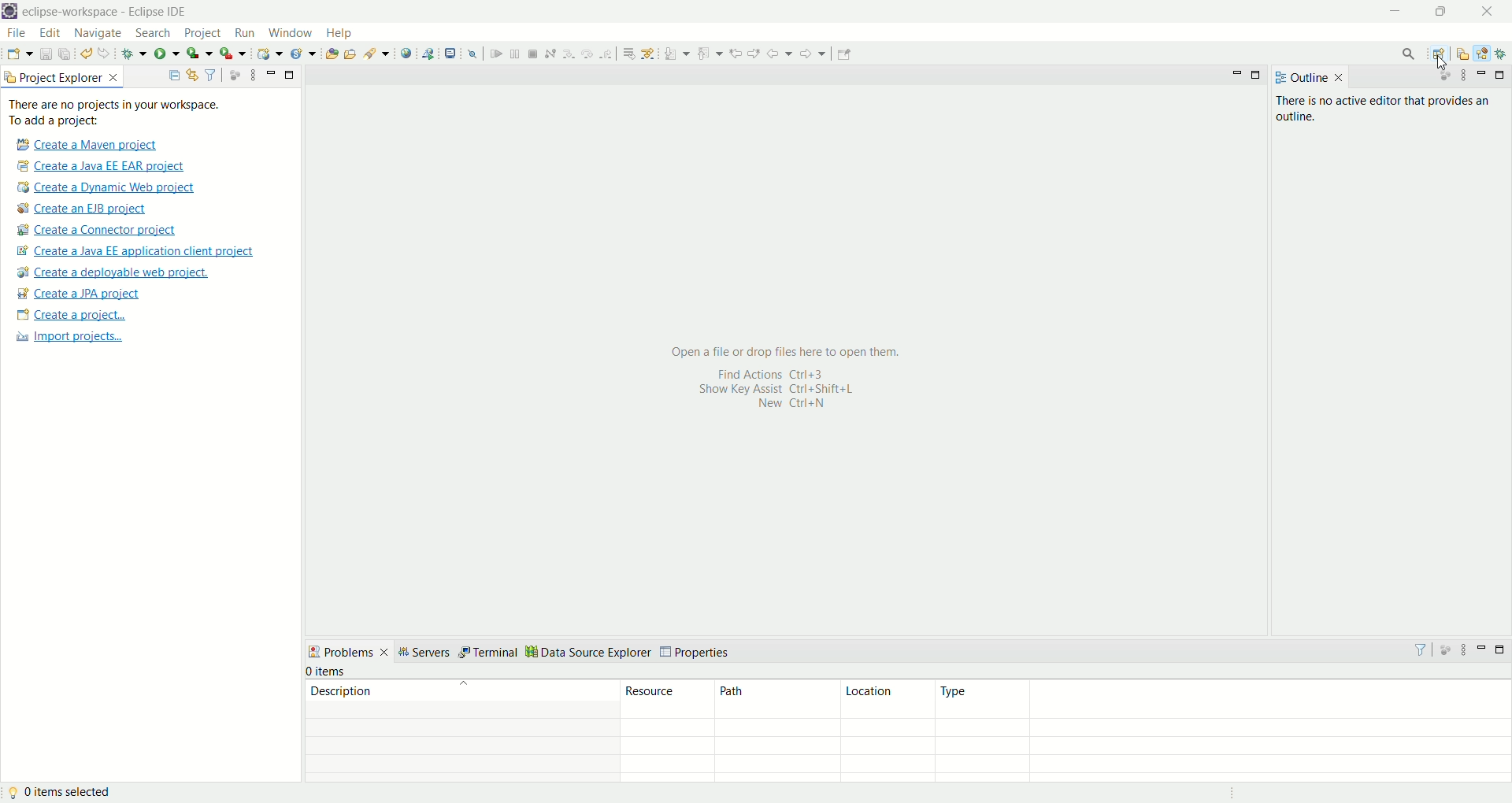 This screenshot has width=1512, height=803. Describe the element at coordinates (495, 54) in the screenshot. I see `resume` at that location.